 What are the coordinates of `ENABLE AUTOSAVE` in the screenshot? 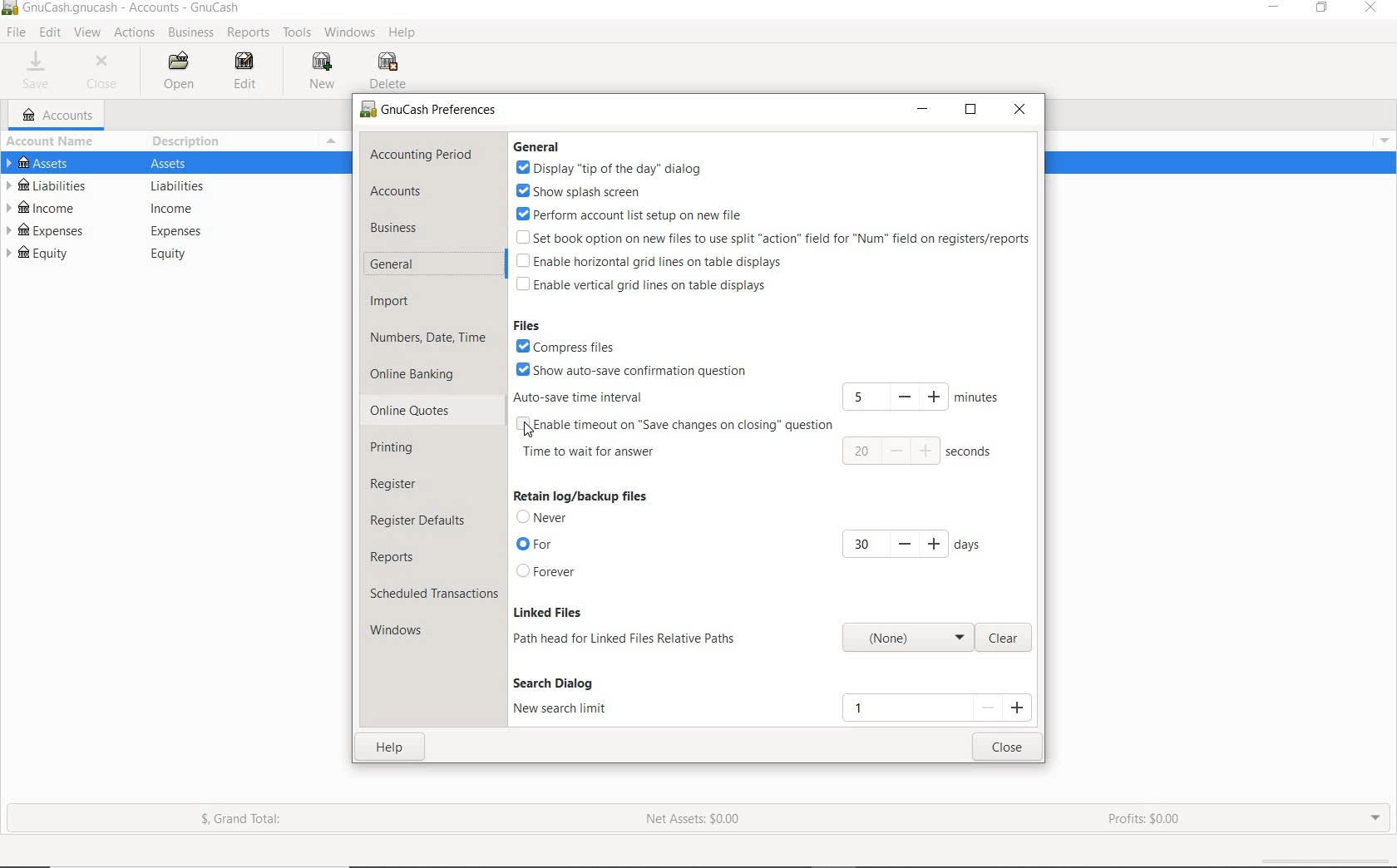 It's located at (674, 426).